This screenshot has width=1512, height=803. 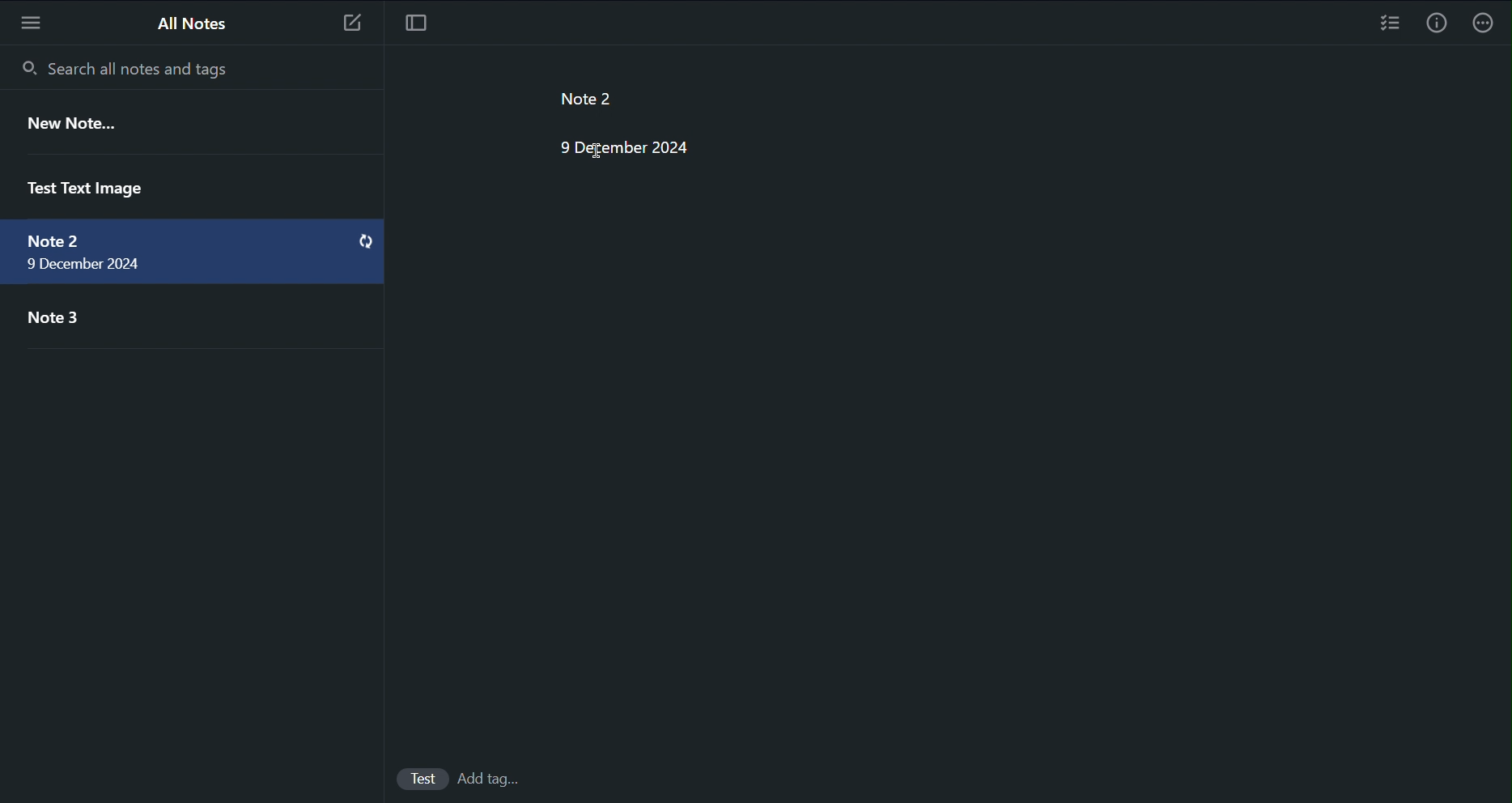 What do you see at coordinates (350, 19) in the screenshot?
I see `New Note` at bounding box center [350, 19].